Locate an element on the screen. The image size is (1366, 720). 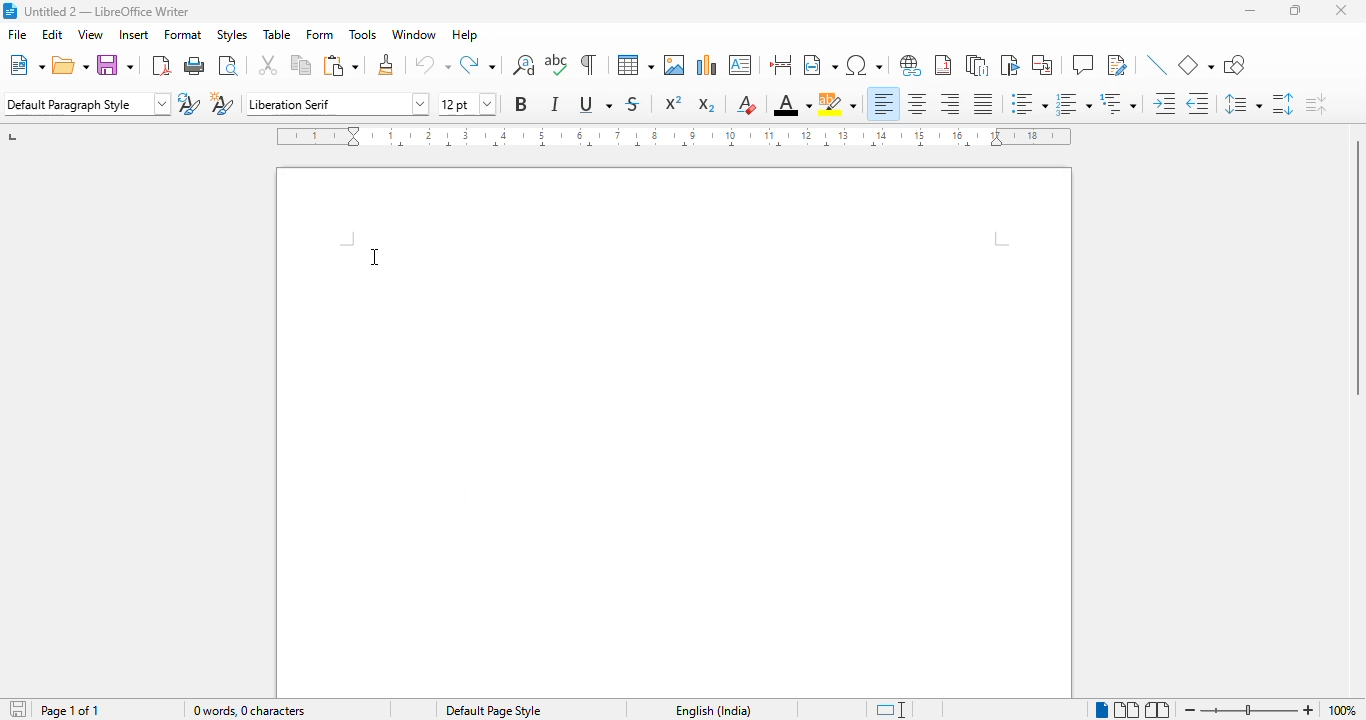
align left is located at coordinates (883, 104).